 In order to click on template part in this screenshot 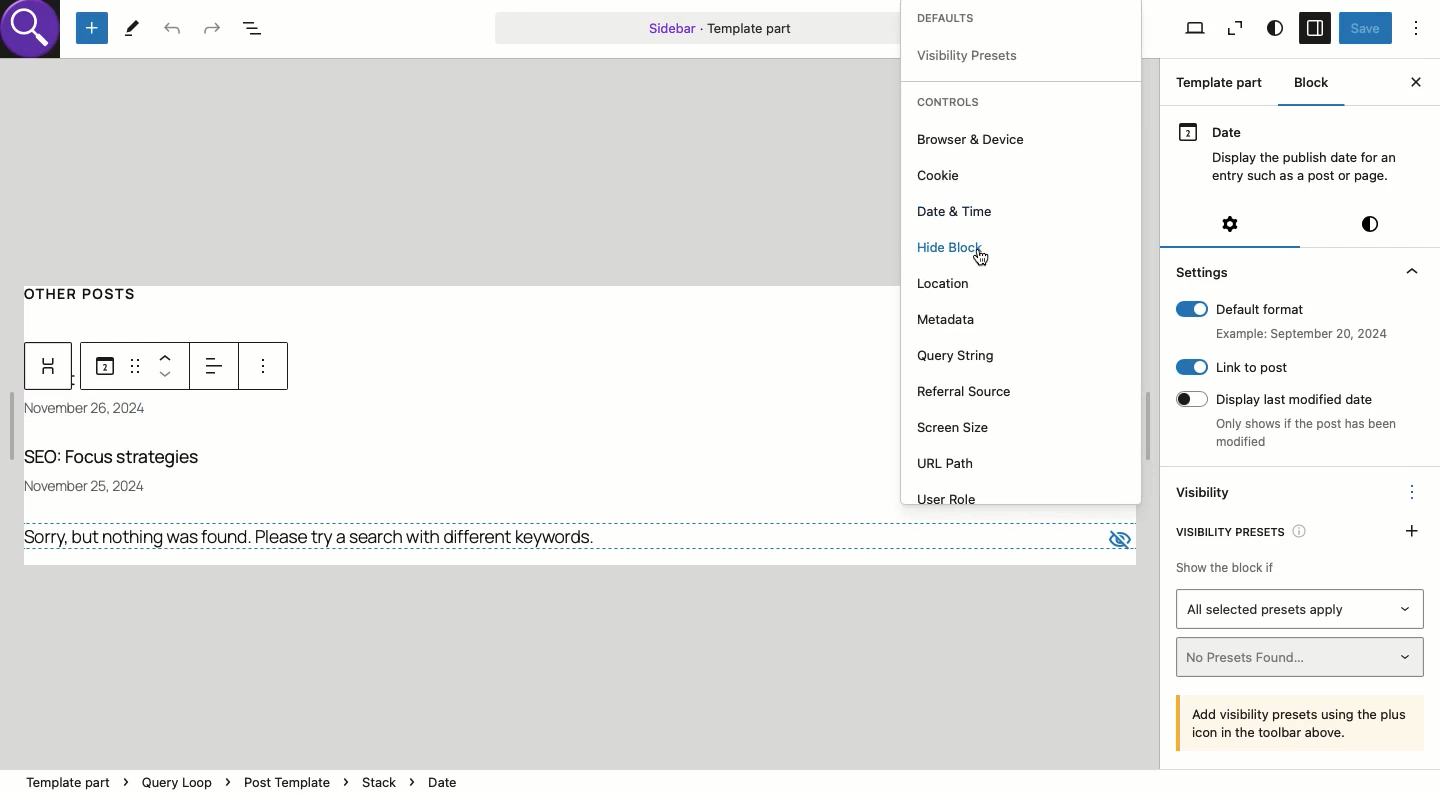, I will do `click(244, 771)`.